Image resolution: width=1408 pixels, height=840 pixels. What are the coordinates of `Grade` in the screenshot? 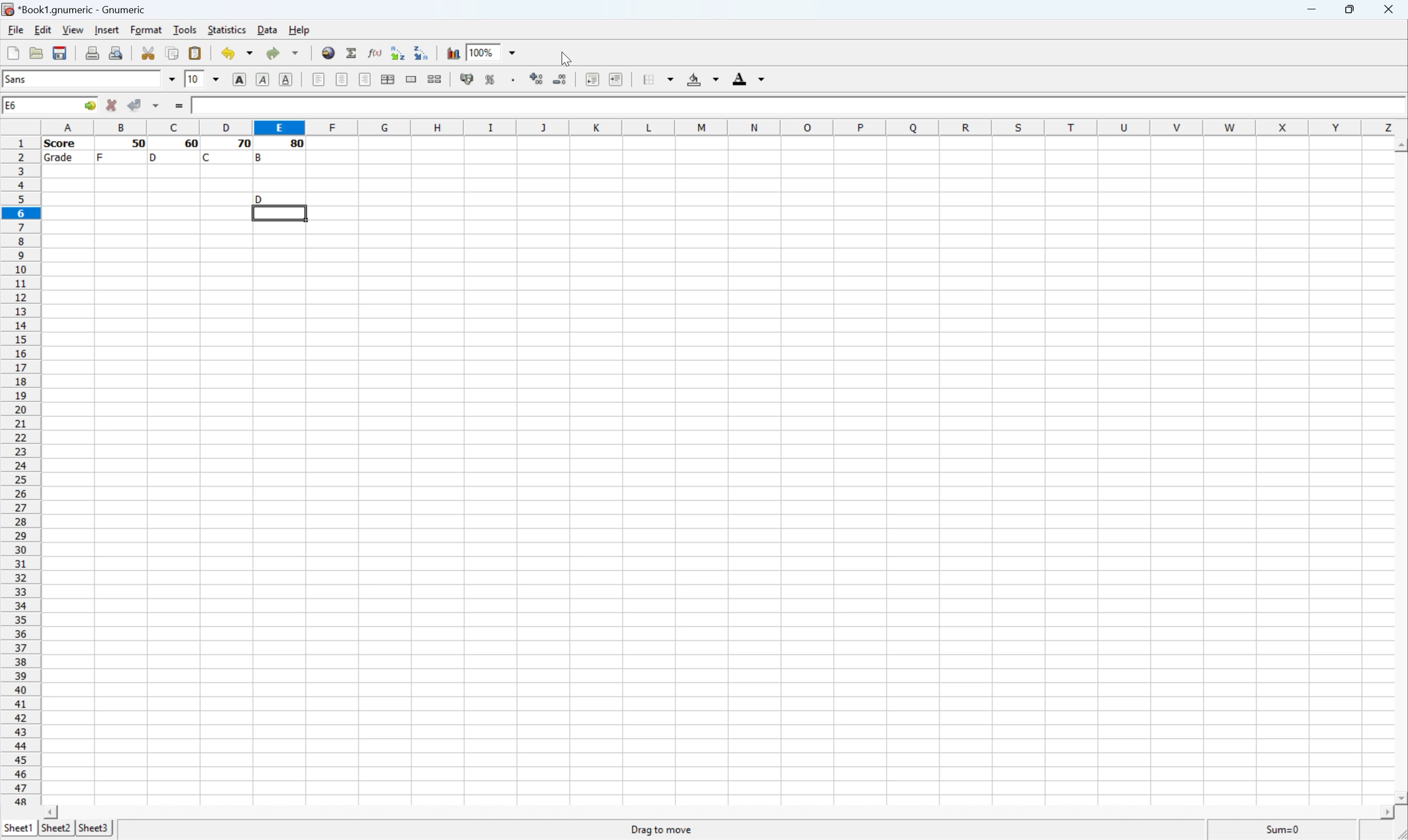 It's located at (62, 159).